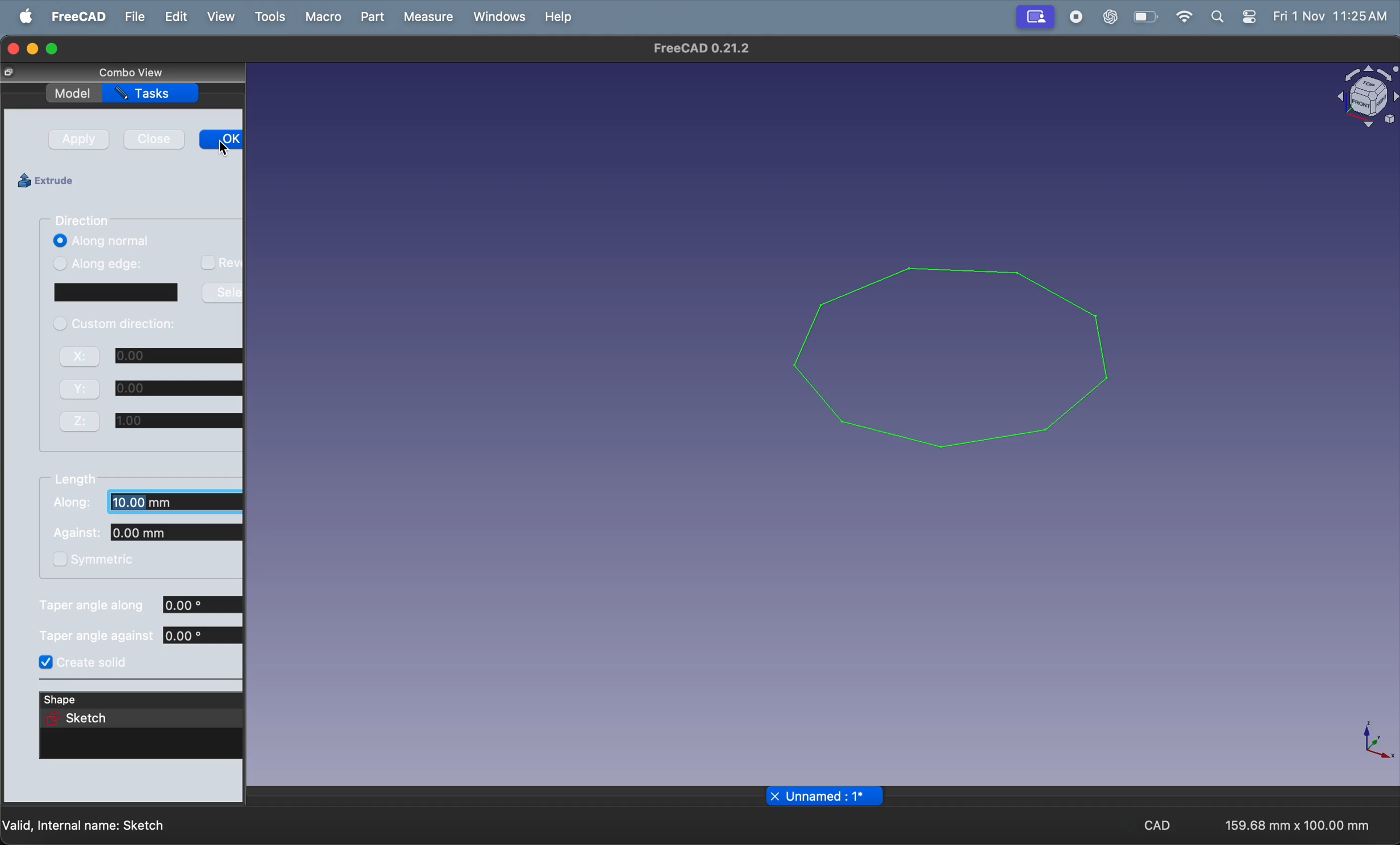 This screenshot has height=845, width=1400. What do you see at coordinates (135, 73) in the screenshot?
I see `combo view` at bounding box center [135, 73].